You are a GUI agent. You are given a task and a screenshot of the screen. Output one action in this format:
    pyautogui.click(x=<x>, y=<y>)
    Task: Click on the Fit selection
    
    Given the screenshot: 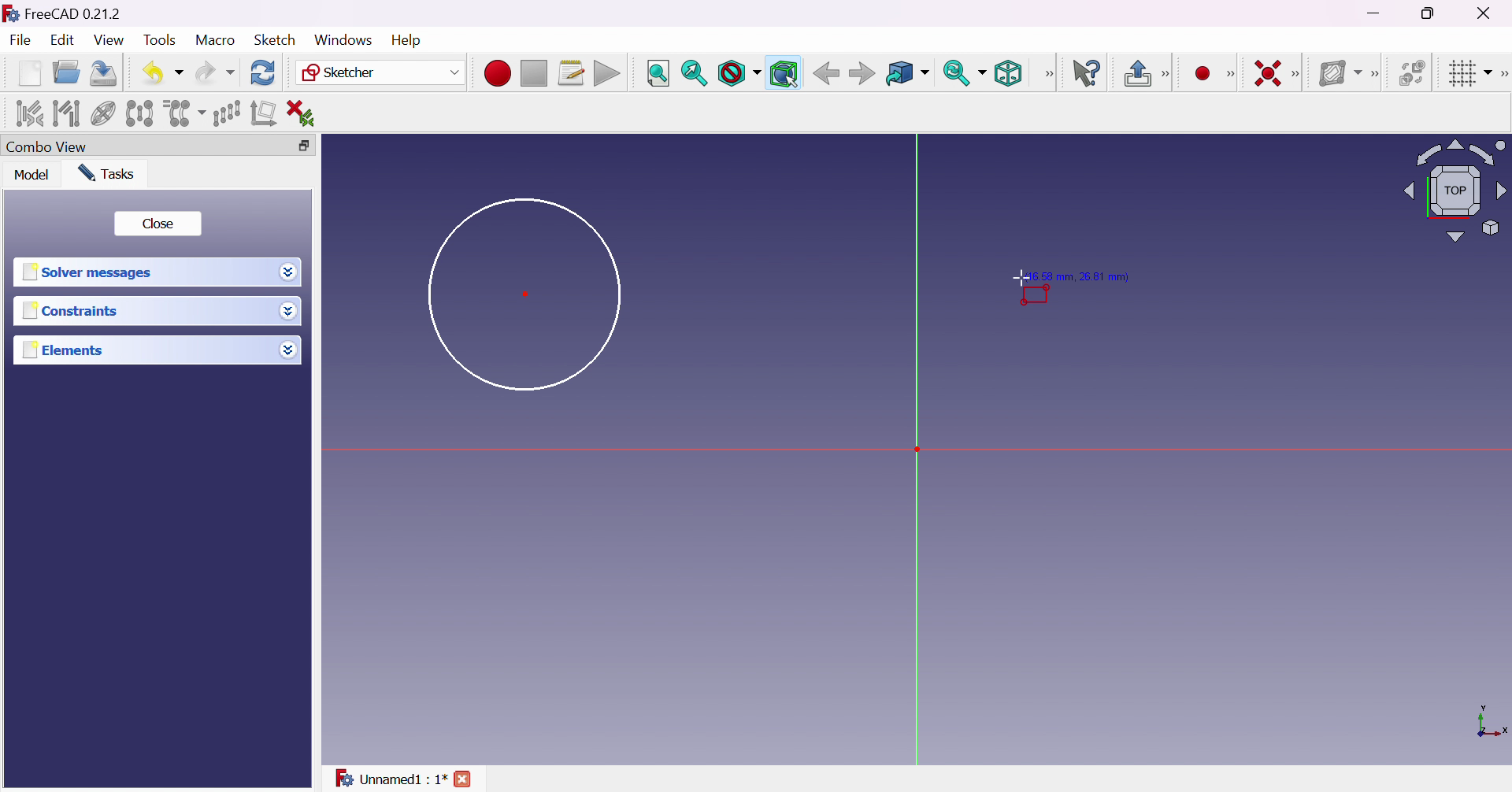 What is the action you would take?
    pyautogui.click(x=694, y=73)
    